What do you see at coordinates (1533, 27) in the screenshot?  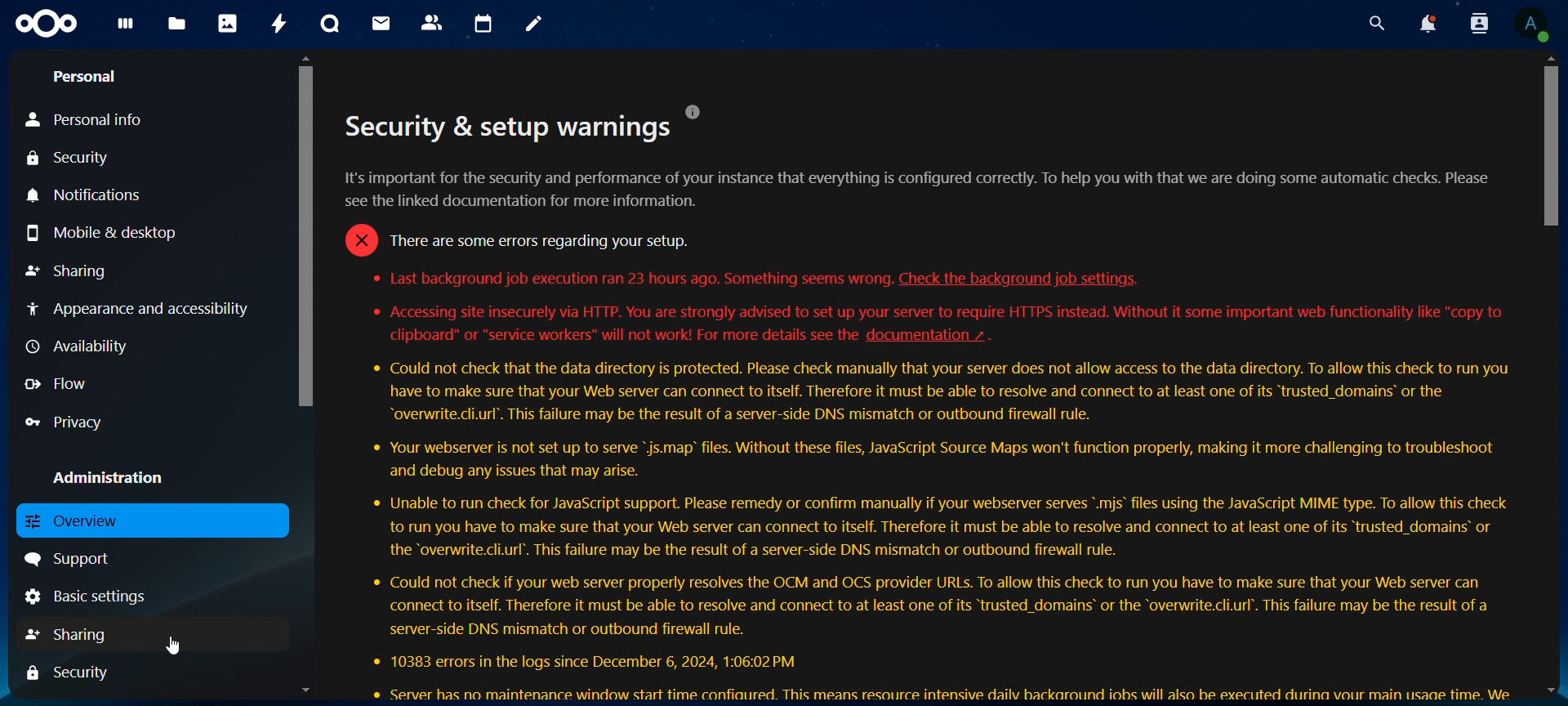 I see `view profile` at bounding box center [1533, 27].